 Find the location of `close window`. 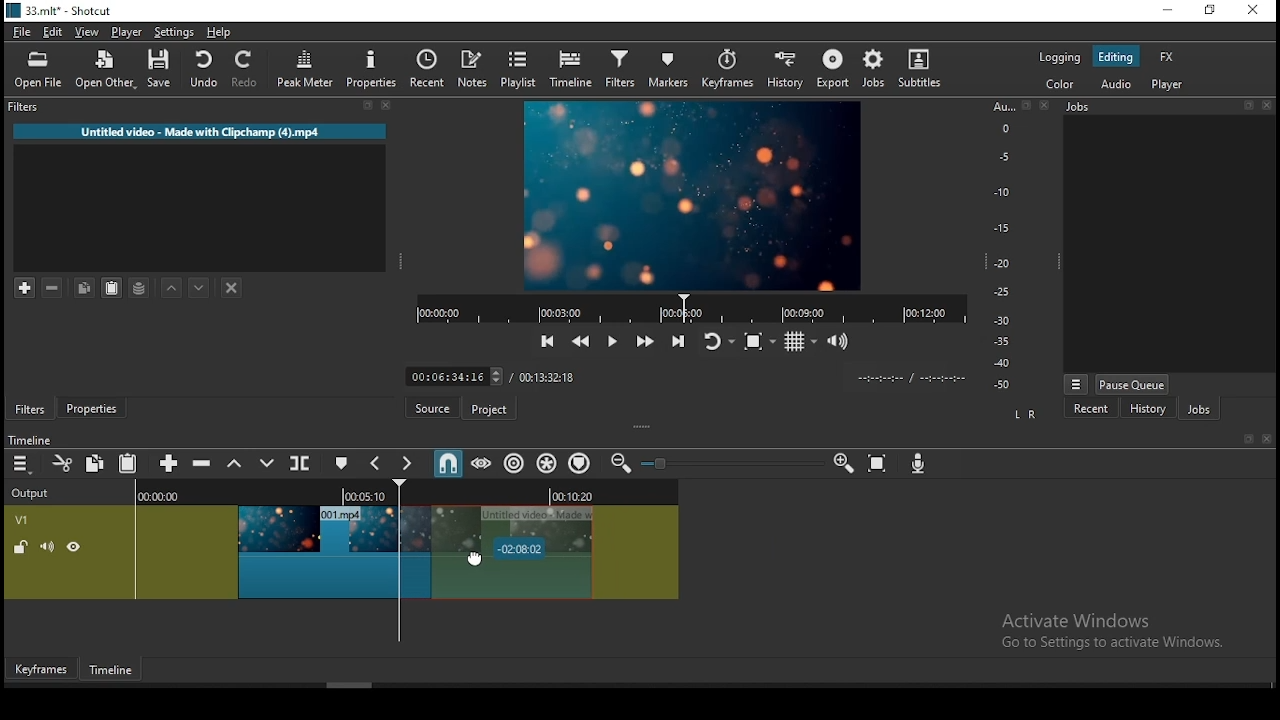

close window is located at coordinates (1252, 11).